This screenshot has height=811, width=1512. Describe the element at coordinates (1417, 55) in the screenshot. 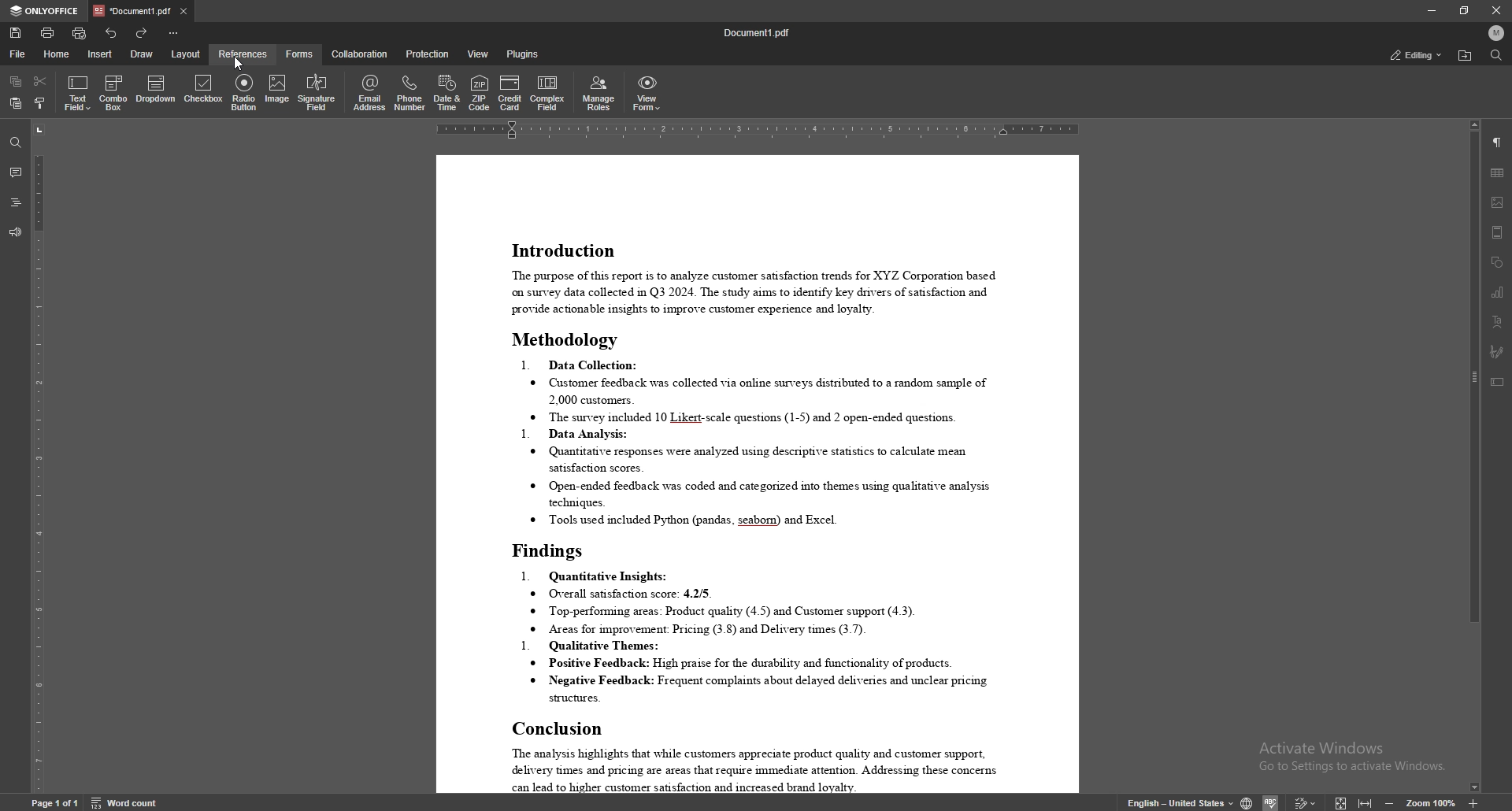

I see `status` at that location.